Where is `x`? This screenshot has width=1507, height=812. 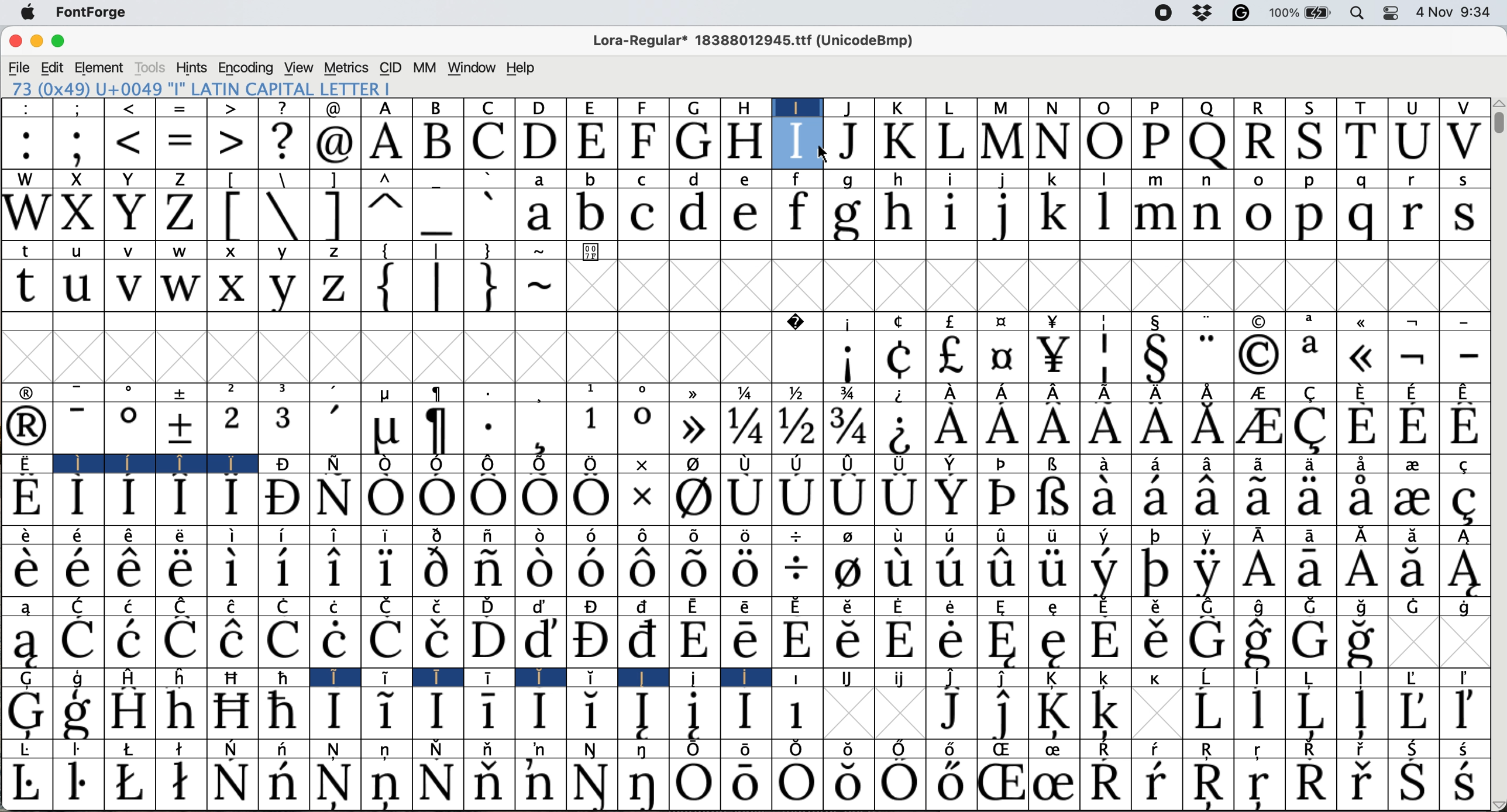 x is located at coordinates (232, 286).